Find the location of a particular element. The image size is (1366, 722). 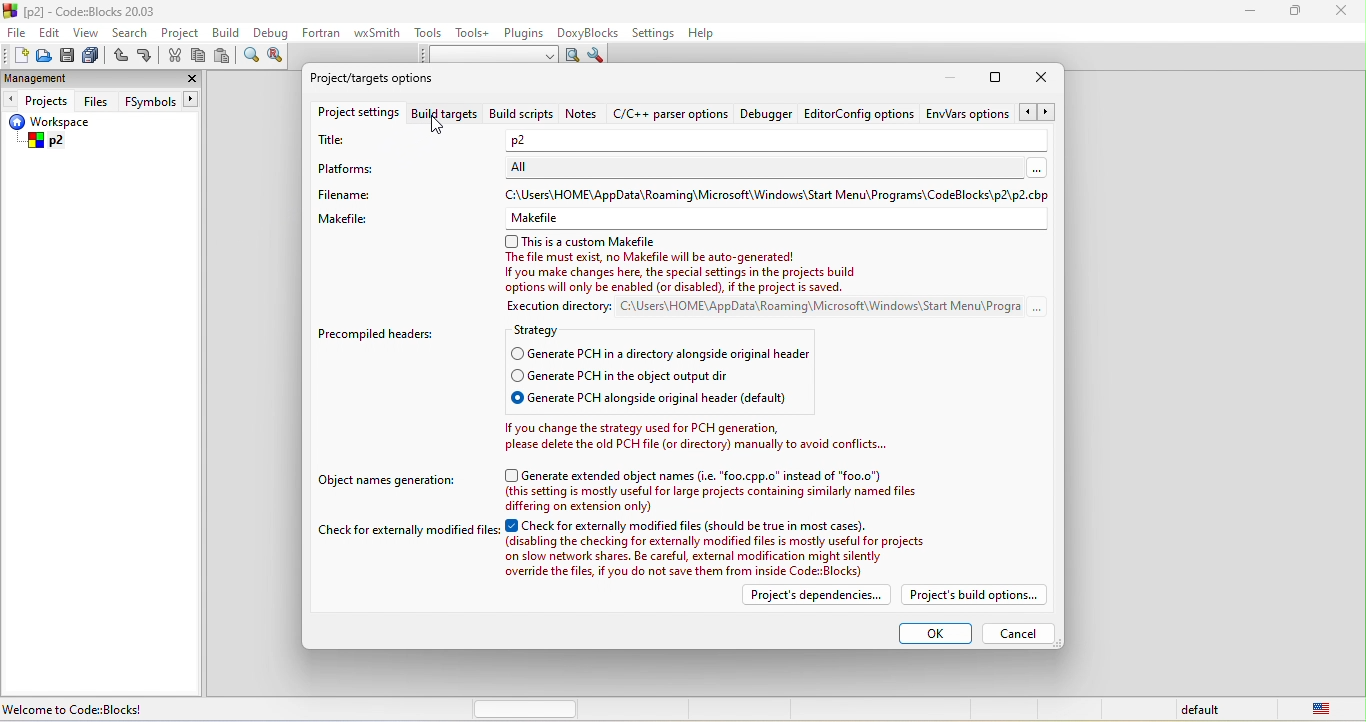

debugger is located at coordinates (768, 116).